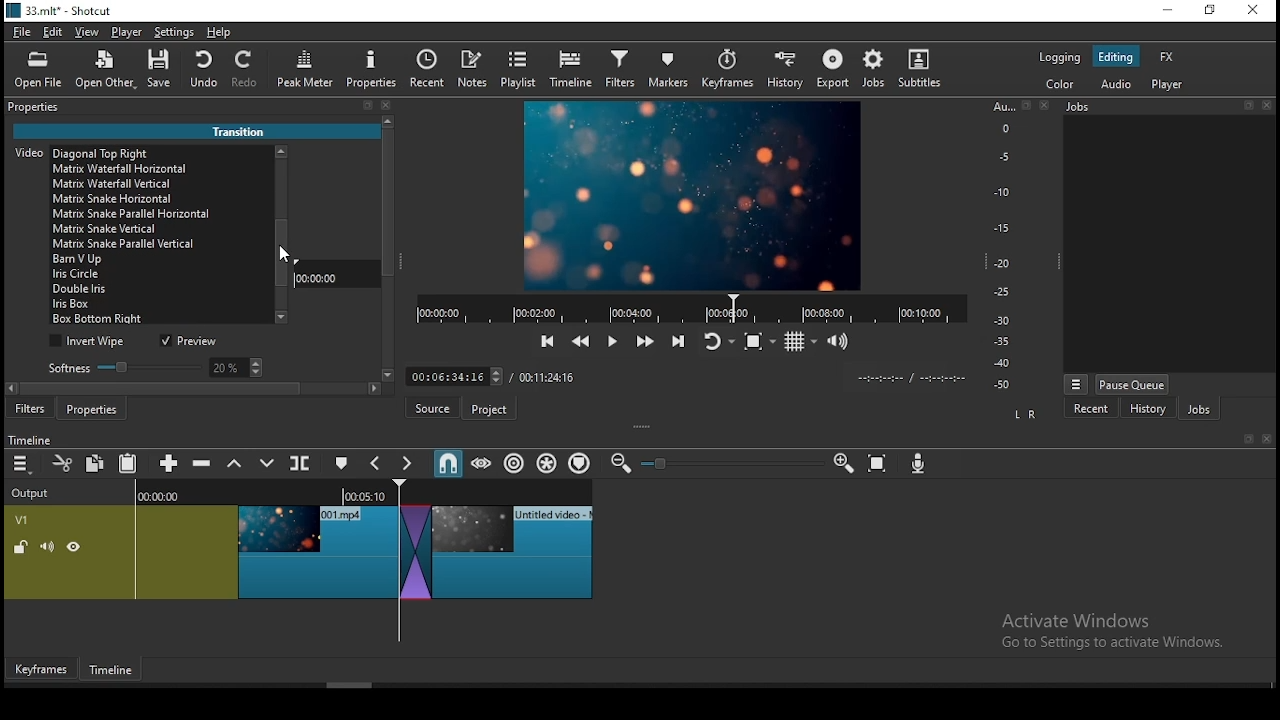 This screenshot has width=1280, height=720. What do you see at coordinates (1122, 630) in the screenshot?
I see `Activate windows` at bounding box center [1122, 630].